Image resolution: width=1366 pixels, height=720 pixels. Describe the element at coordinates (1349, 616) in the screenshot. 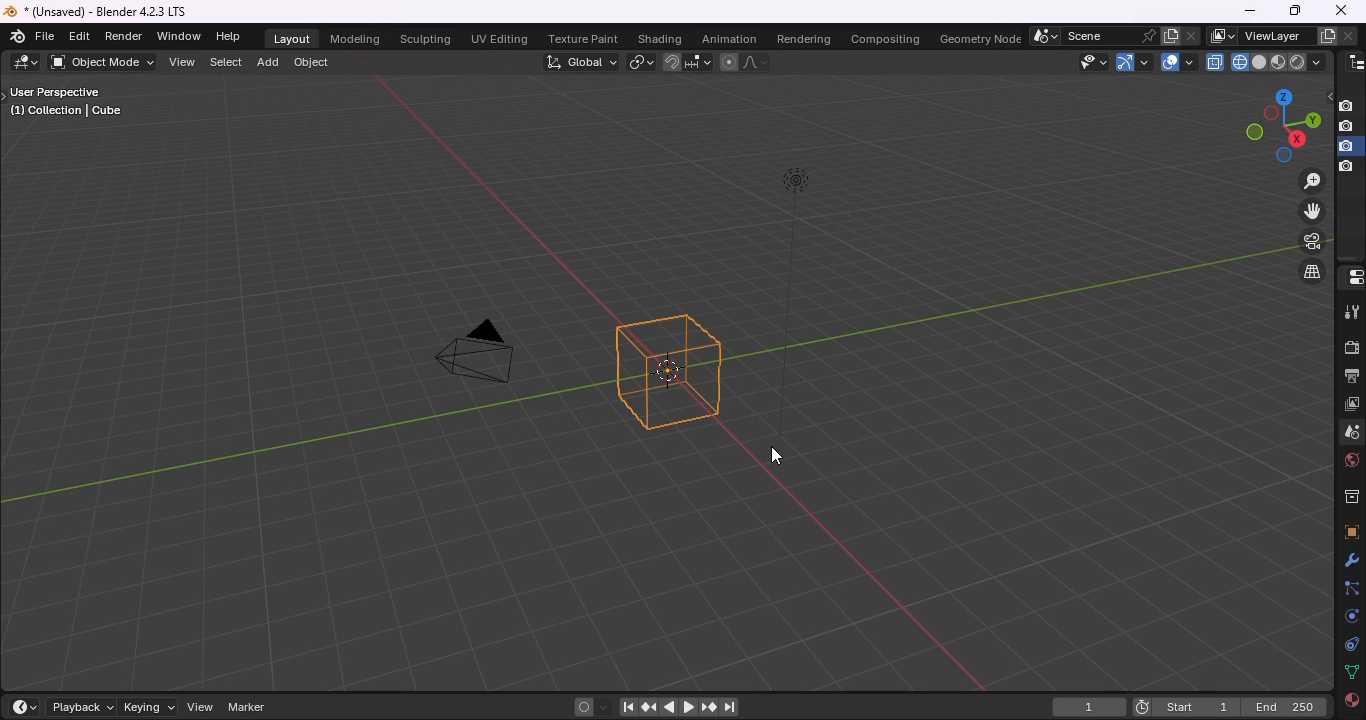

I see `physics` at that location.